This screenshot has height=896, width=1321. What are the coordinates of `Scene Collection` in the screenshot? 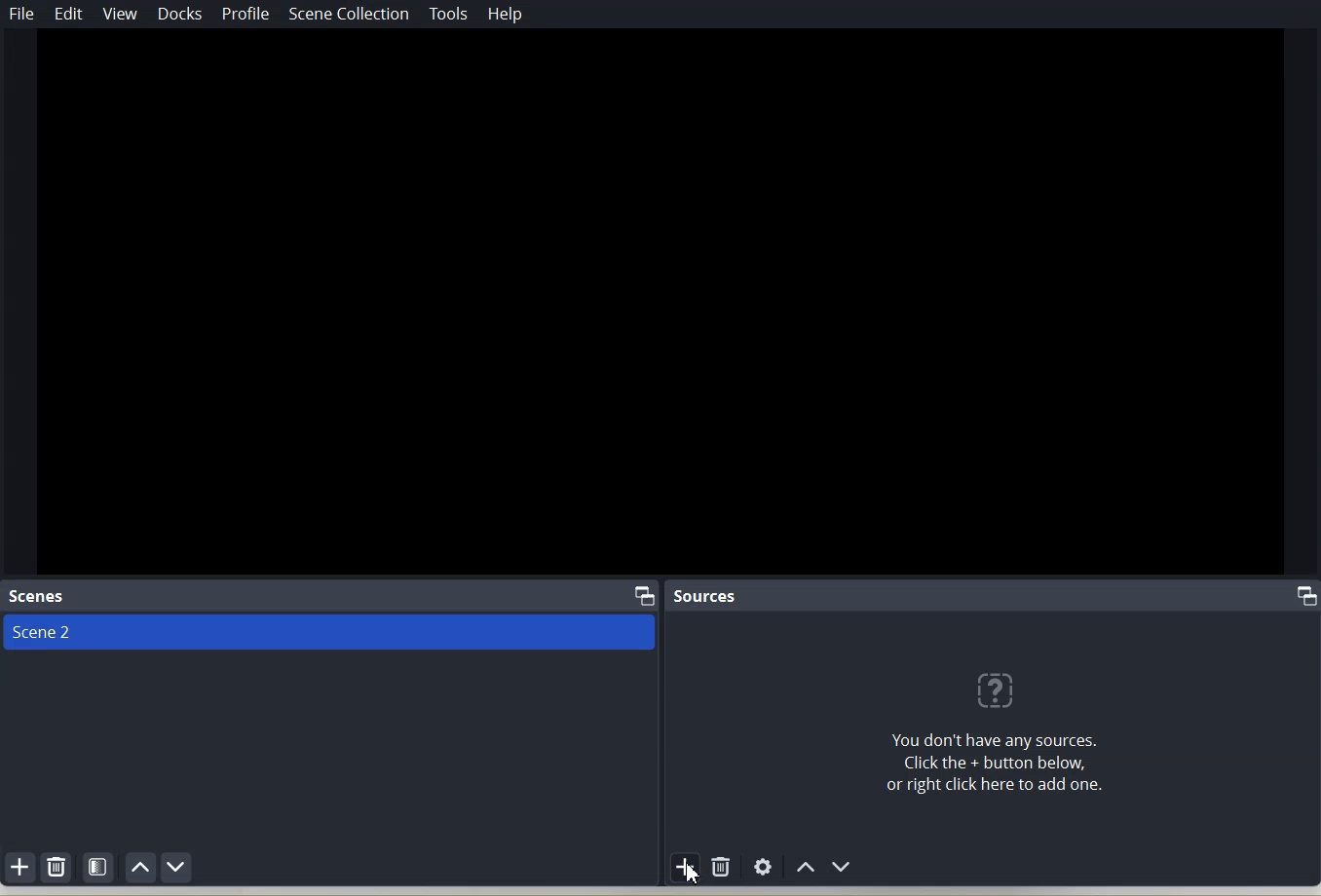 It's located at (348, 14).